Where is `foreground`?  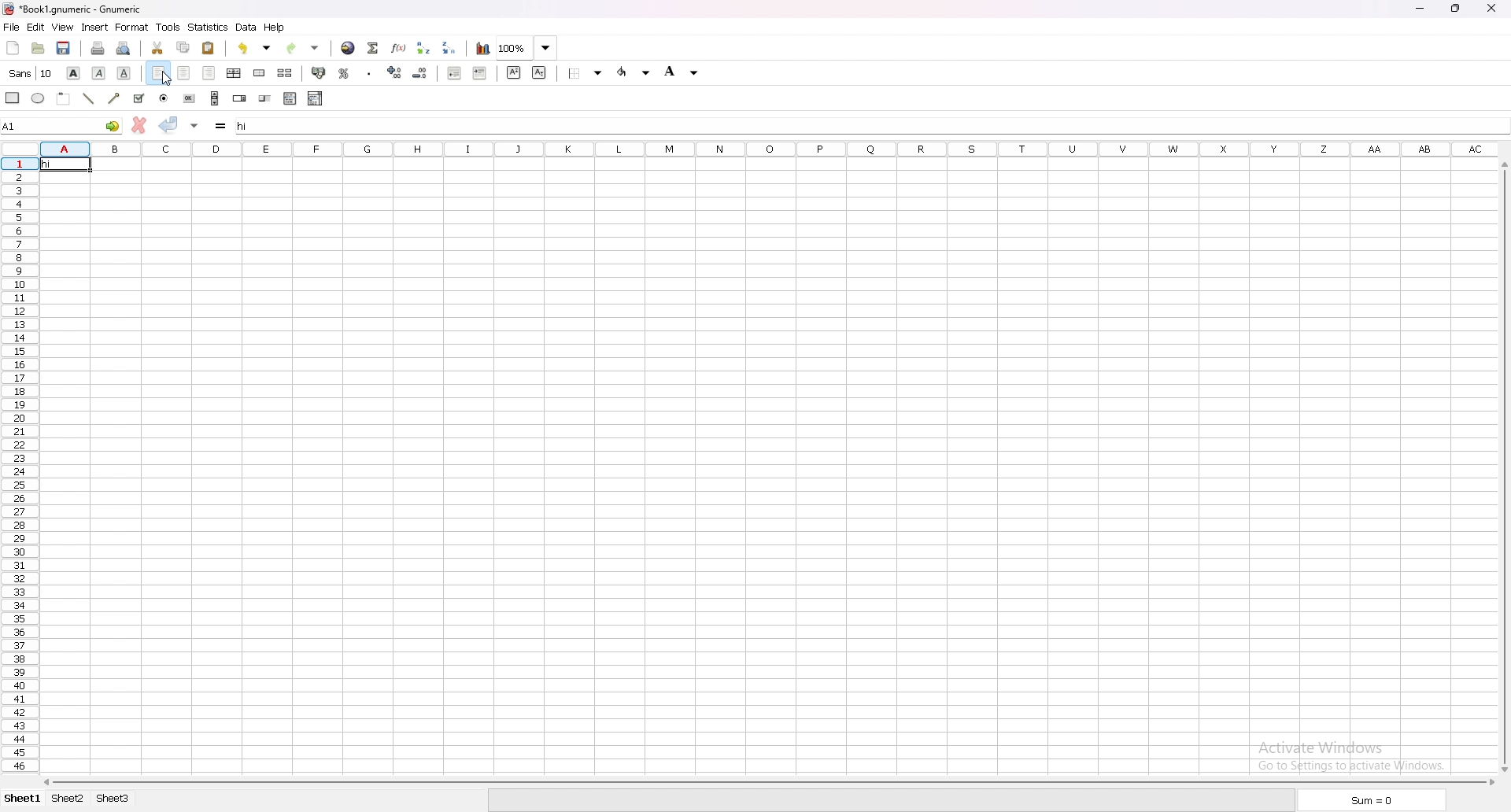
foreground is located at coordinates (634, 72).